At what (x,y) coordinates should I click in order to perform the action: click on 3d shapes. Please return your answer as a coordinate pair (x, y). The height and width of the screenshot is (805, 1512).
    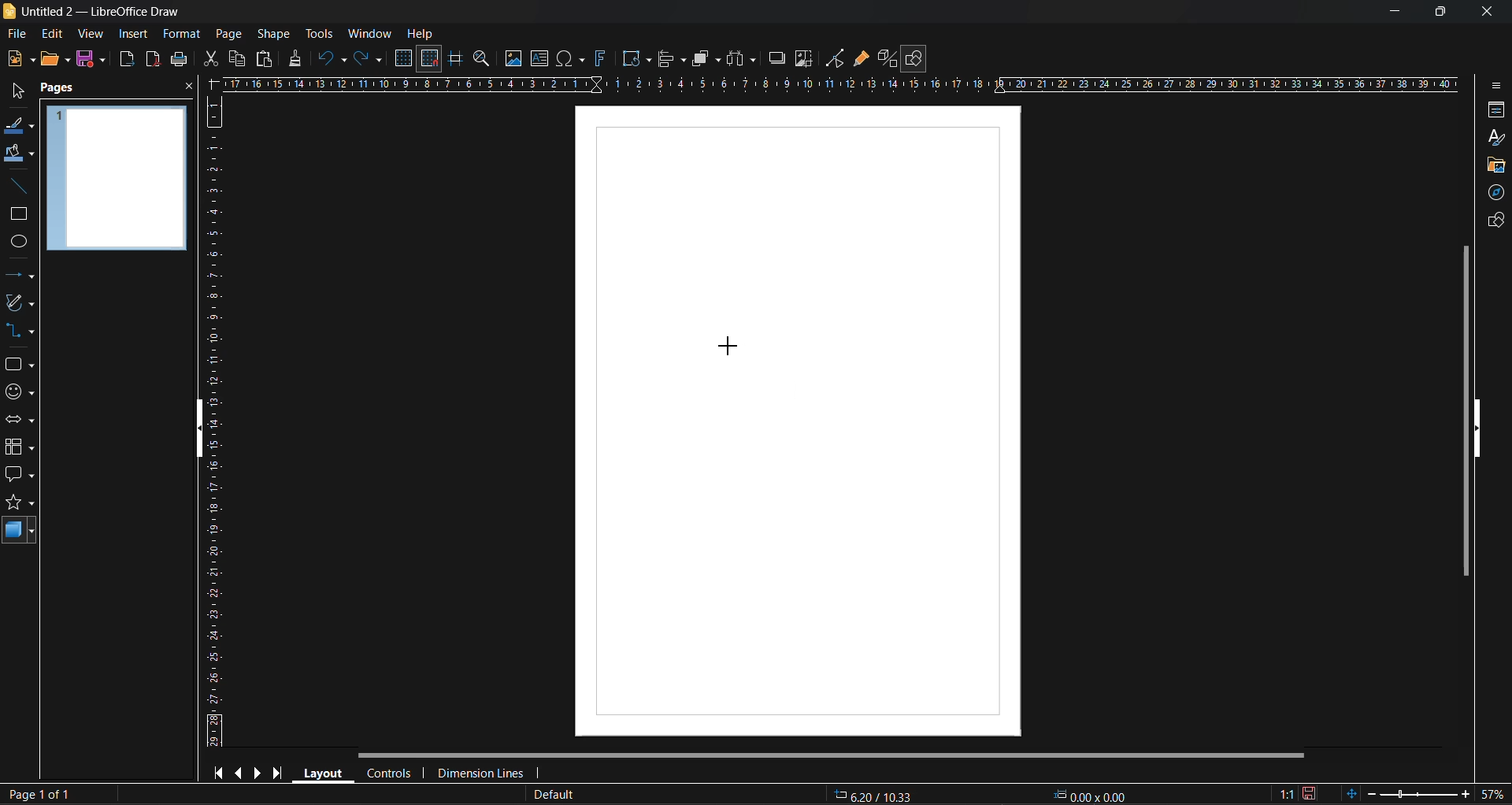
    Looking at the image, I should click on (20, 532).